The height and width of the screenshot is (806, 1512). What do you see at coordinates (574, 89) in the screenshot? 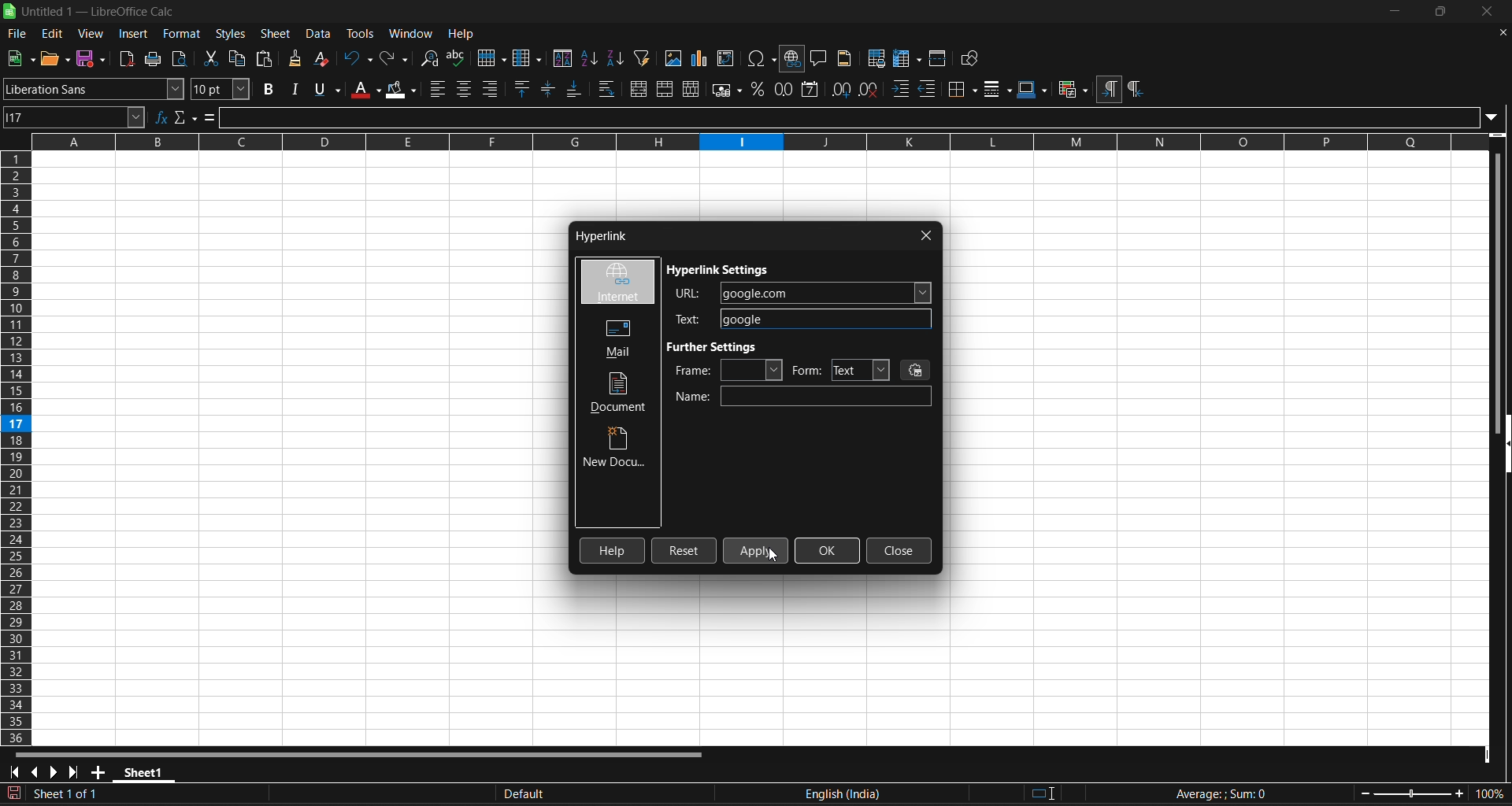
I see `align bottom` at bounding box center [574, 89].